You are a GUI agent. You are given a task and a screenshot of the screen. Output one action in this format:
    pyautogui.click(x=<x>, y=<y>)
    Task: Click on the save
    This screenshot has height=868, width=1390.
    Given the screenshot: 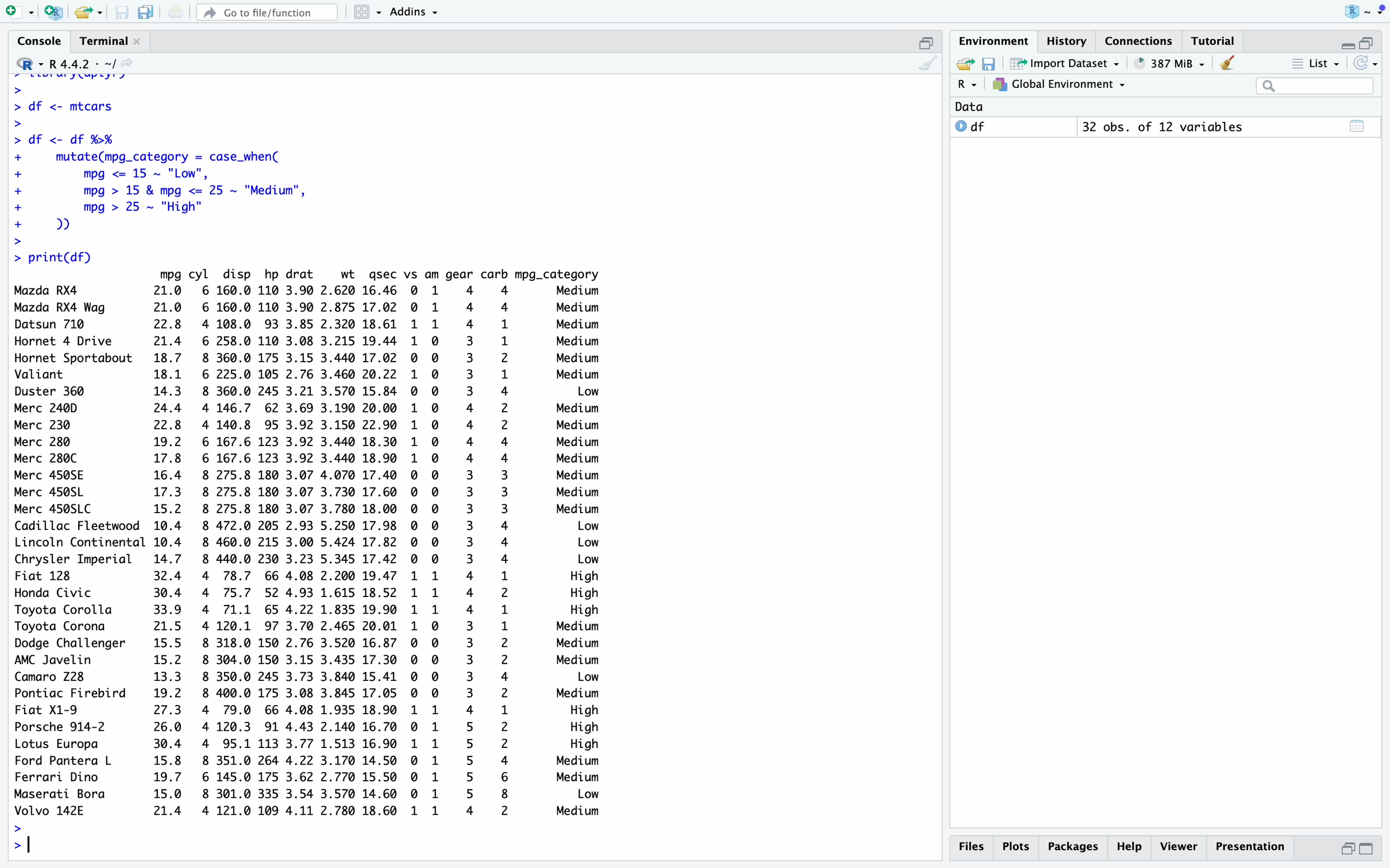 What is the action you would take?
    pyautogui.click(x=122, y=13)
    